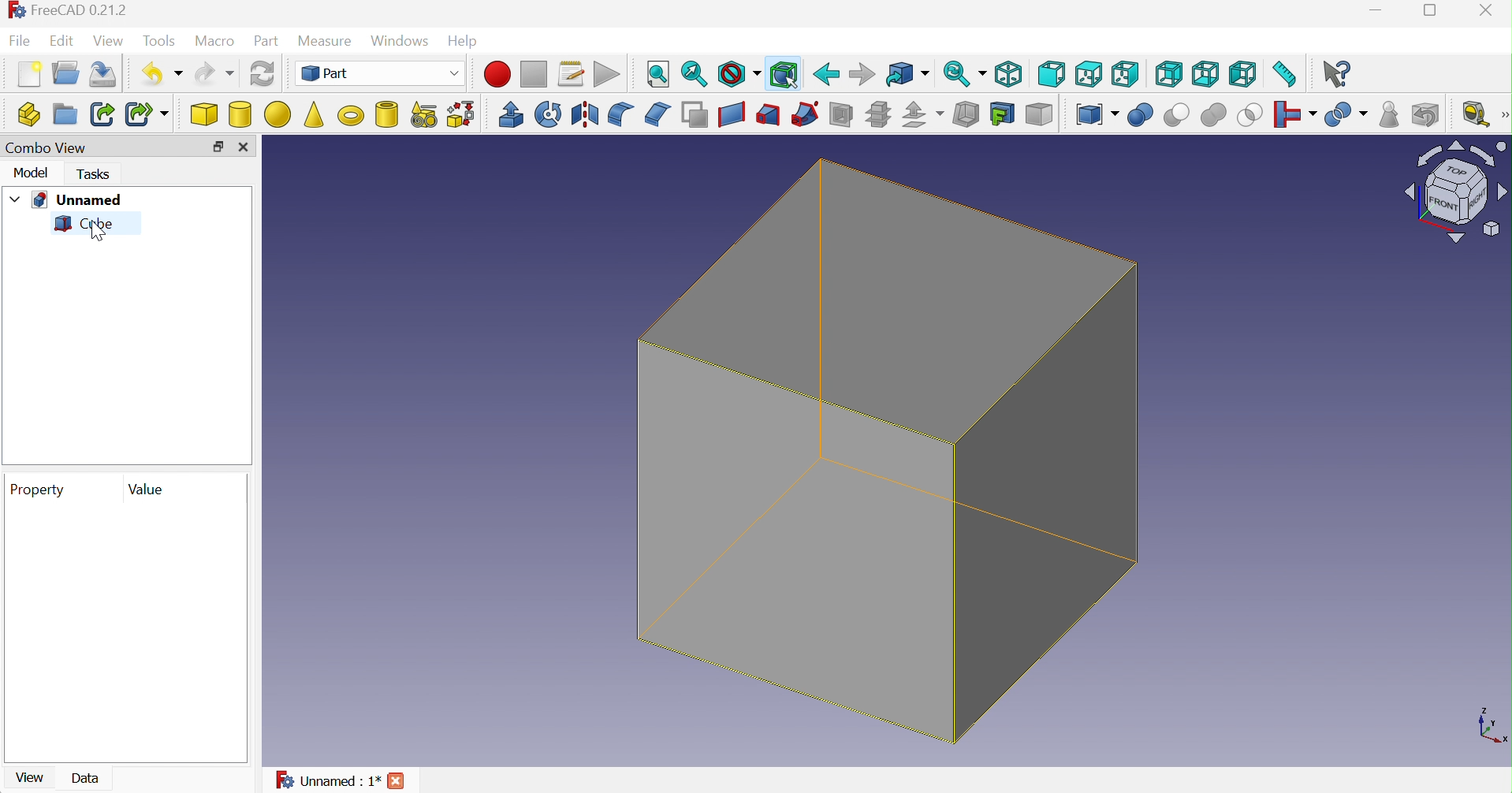 The image size is (1512, 793). Describe the element at coordinates (1213, 114) in the screenshot. I see `Union ` at that location.